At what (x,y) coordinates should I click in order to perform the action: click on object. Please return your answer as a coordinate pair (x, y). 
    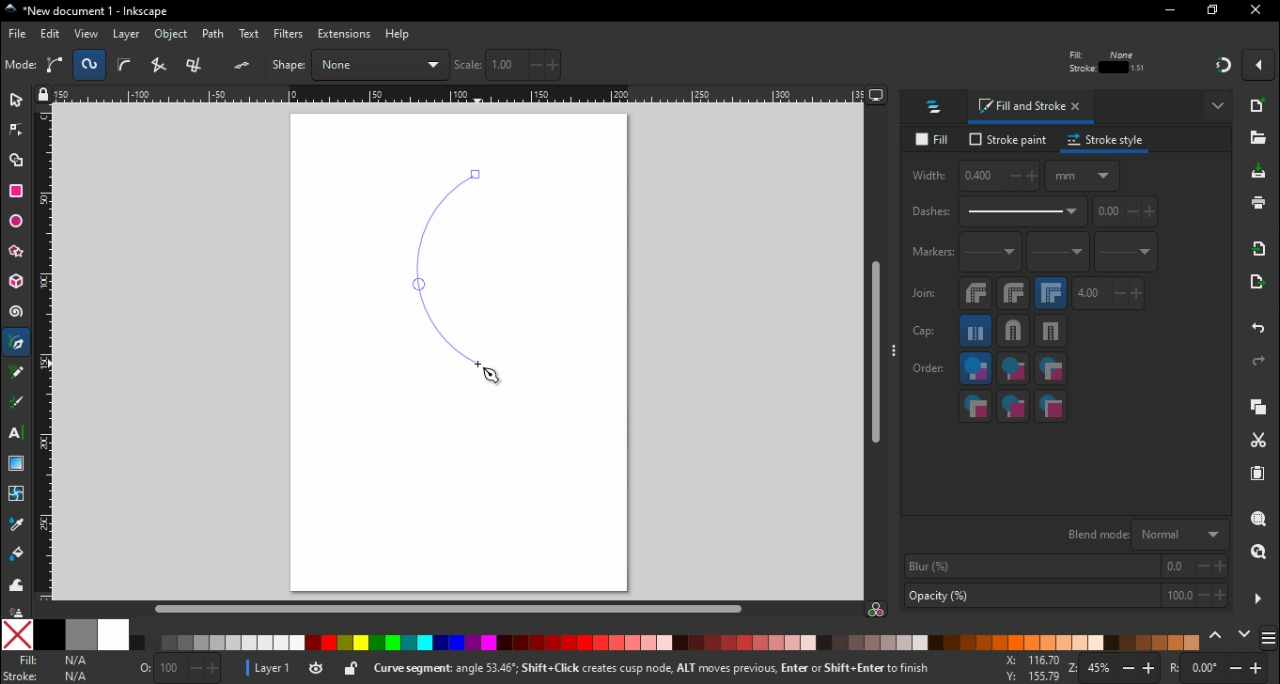
    Looking at the image, I should click on (172, 35).